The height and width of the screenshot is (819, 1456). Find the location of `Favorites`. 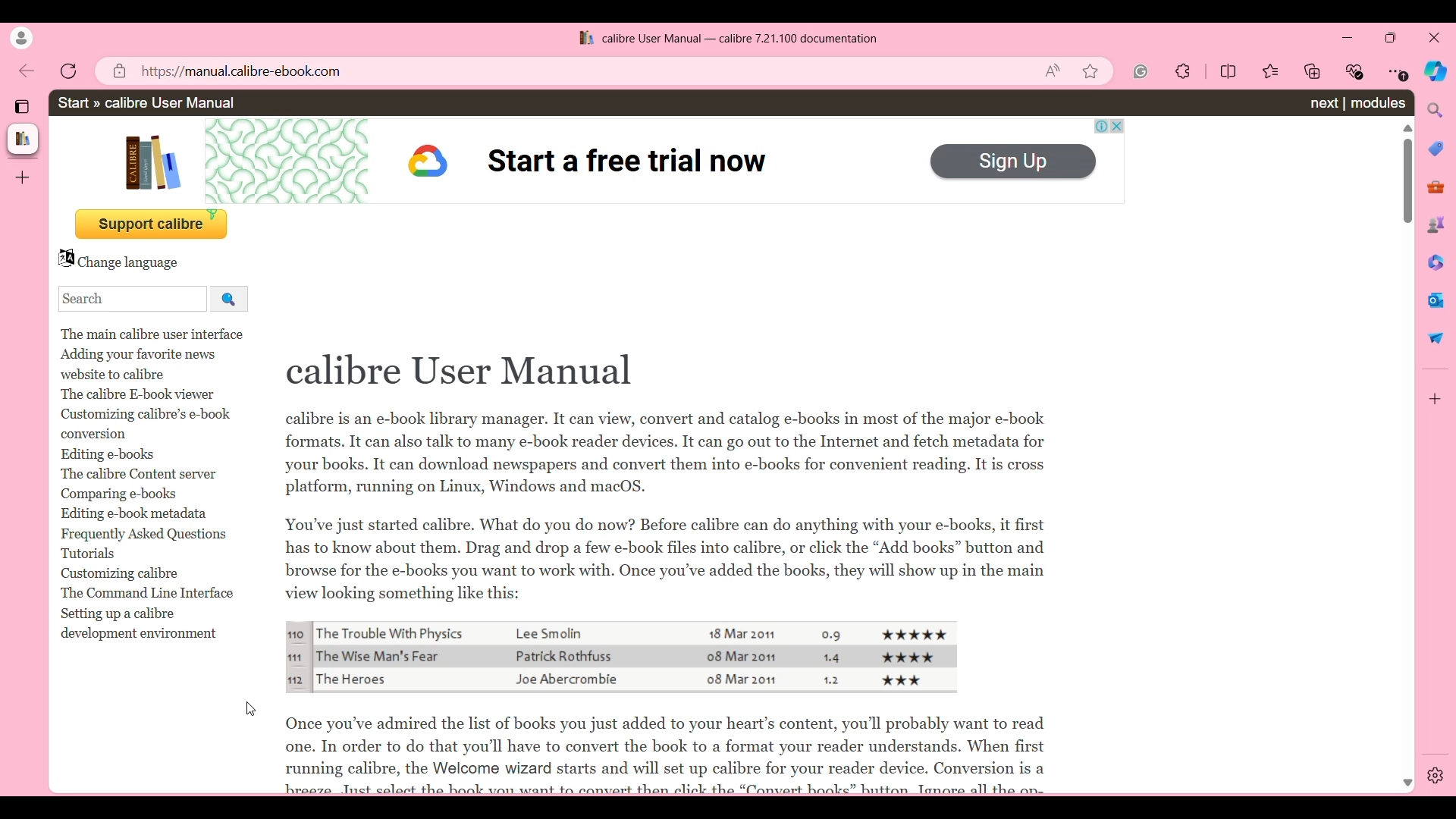

Favorites is located at coordinates (1270, 71).